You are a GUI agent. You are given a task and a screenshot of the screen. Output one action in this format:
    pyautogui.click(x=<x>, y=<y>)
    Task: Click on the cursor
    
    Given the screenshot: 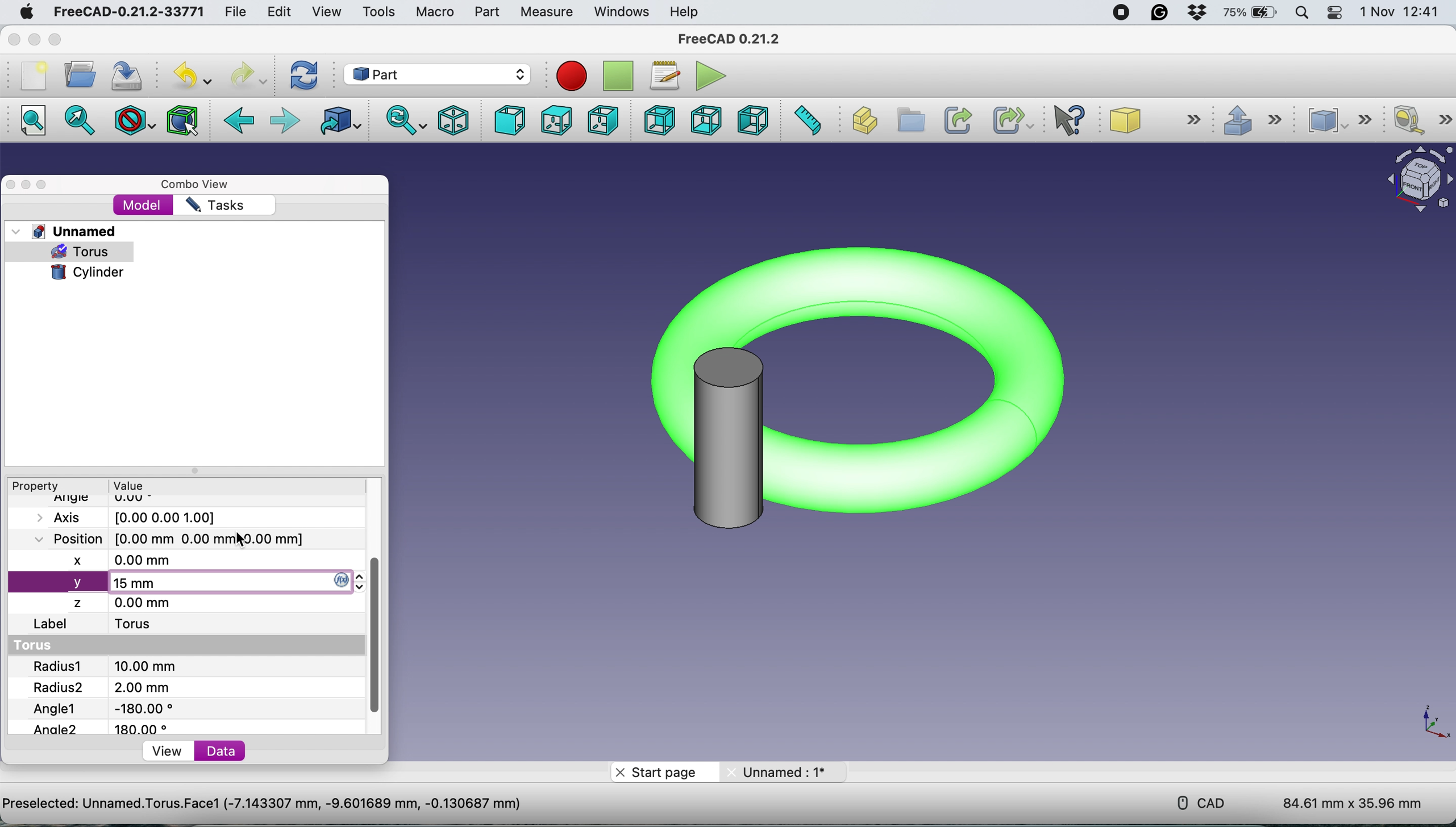 What is the action you would take?
    pyautogui.click(x=242, y=537)
    